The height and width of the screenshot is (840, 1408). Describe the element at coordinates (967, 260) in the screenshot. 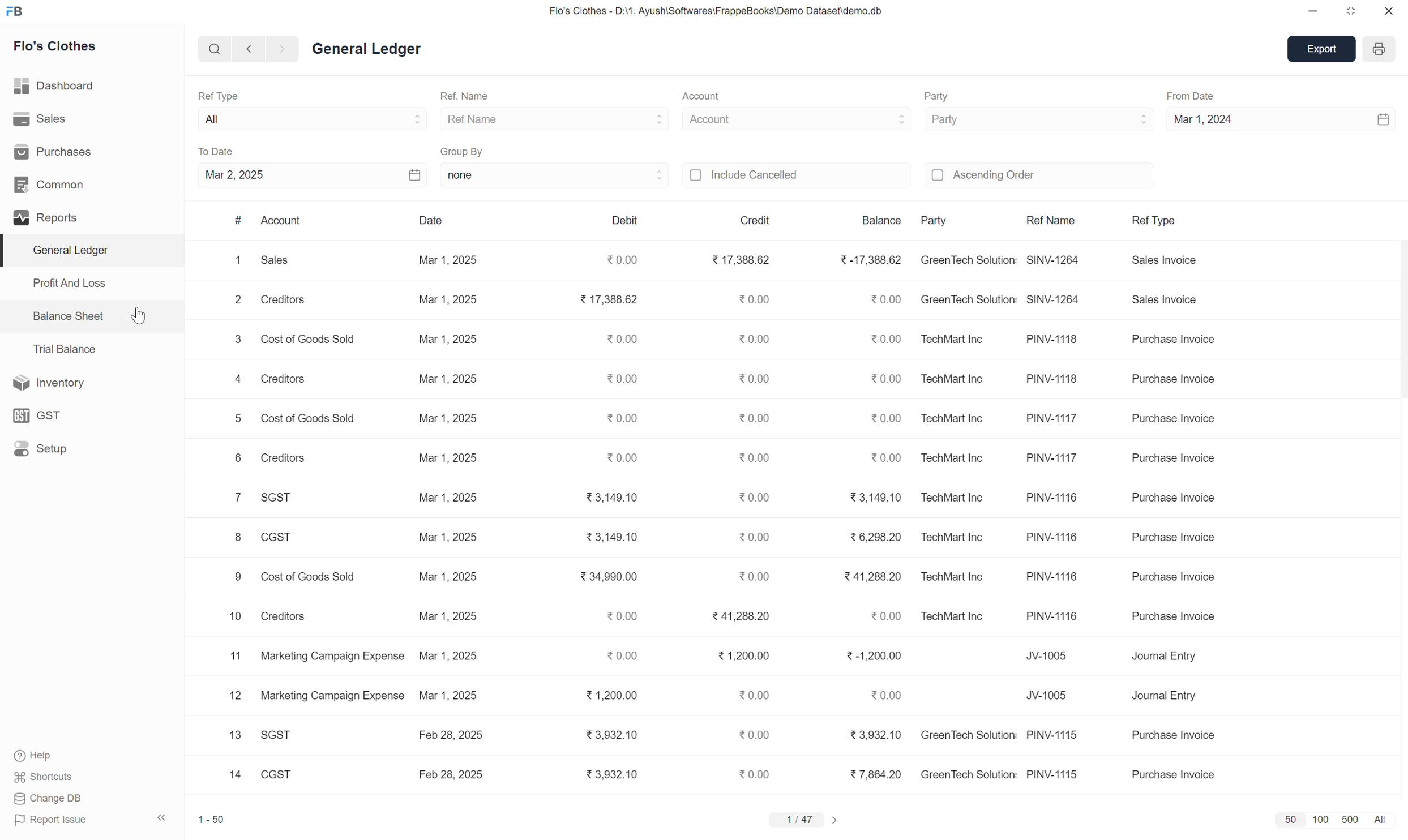

I see `GreenTech Solution:` at that location.